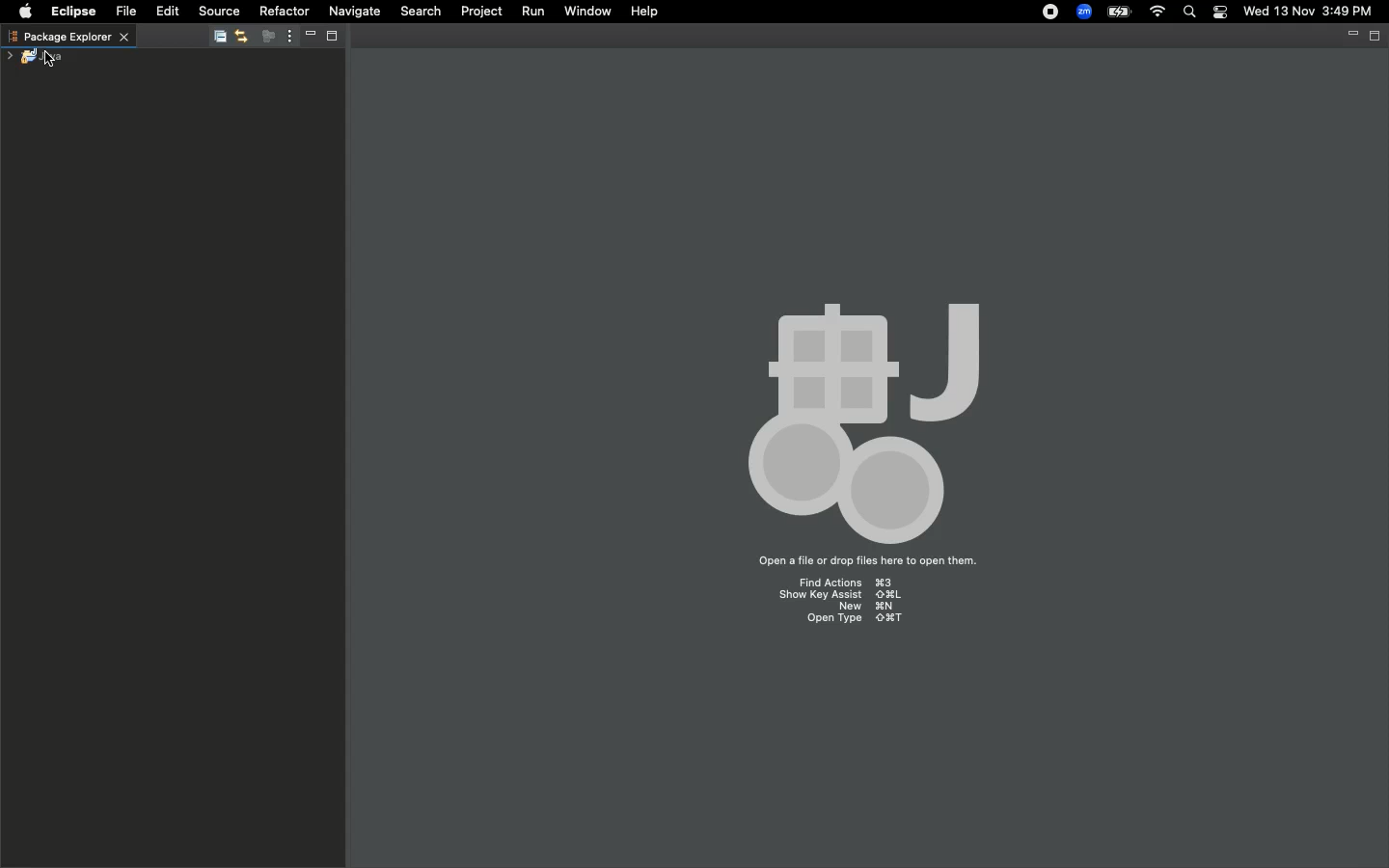  What do you see at coordinates (1309, 10) in the screenshot?
I see `Wed 13 Nov 3:49 PM` at bounding box center [1309, 10].